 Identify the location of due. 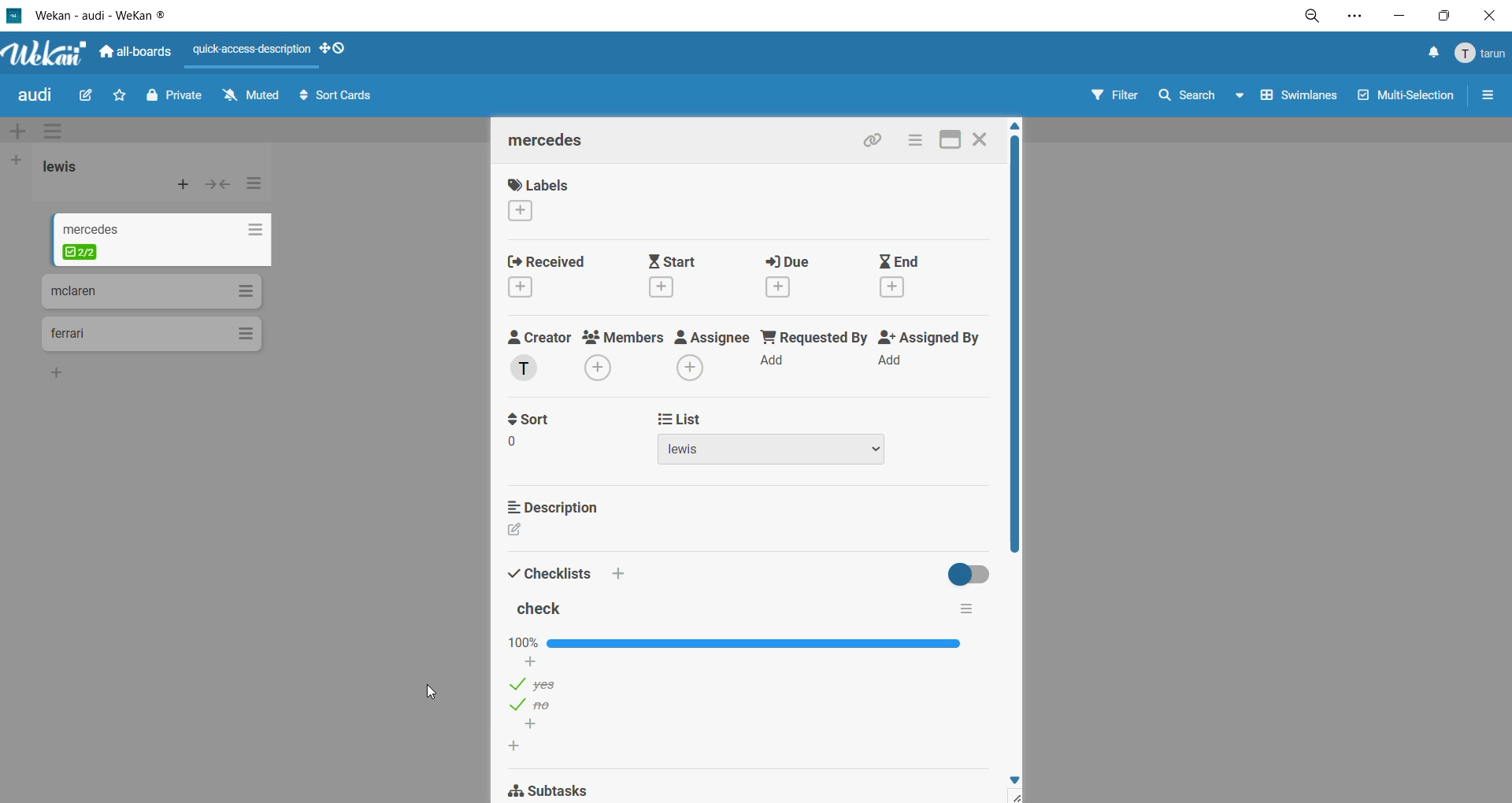
(796, 274).